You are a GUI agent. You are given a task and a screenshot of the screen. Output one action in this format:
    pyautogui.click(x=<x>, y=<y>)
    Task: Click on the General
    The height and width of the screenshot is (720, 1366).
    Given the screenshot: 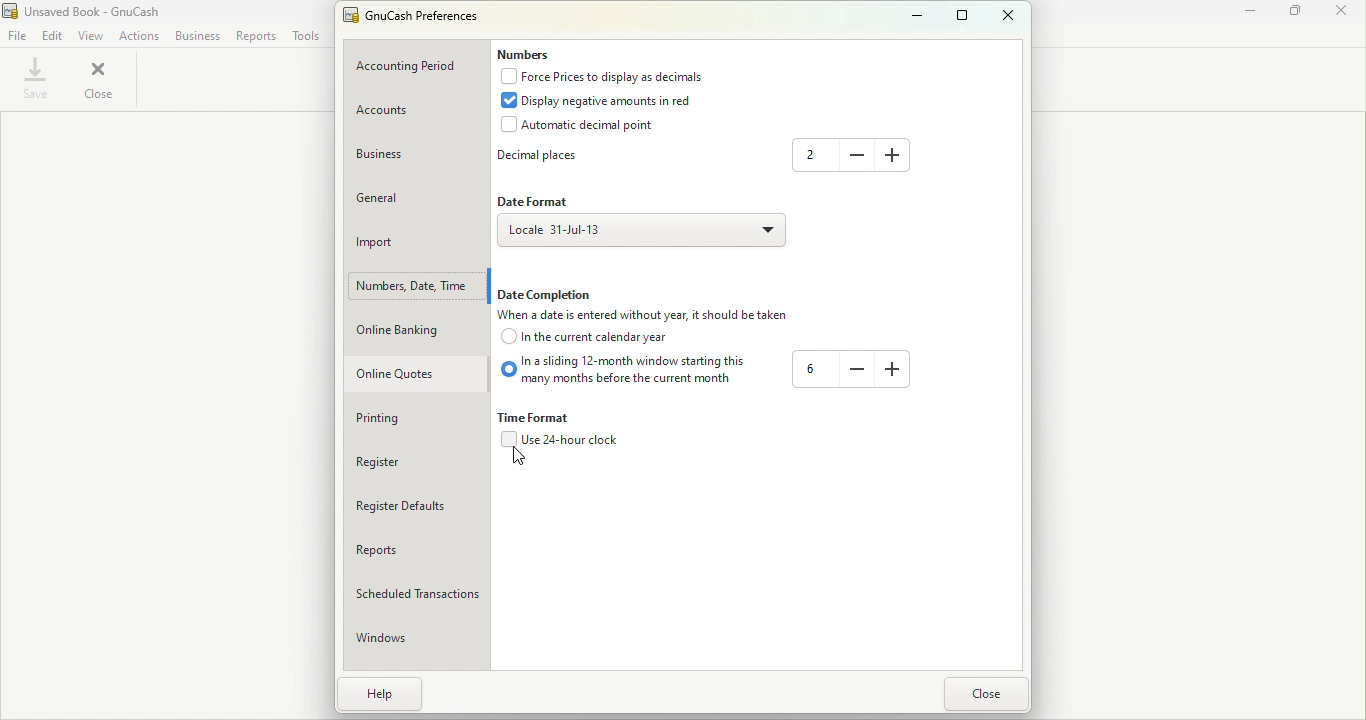 What is the action you would take?
    pyautogui.click(x=418, y=193)
    